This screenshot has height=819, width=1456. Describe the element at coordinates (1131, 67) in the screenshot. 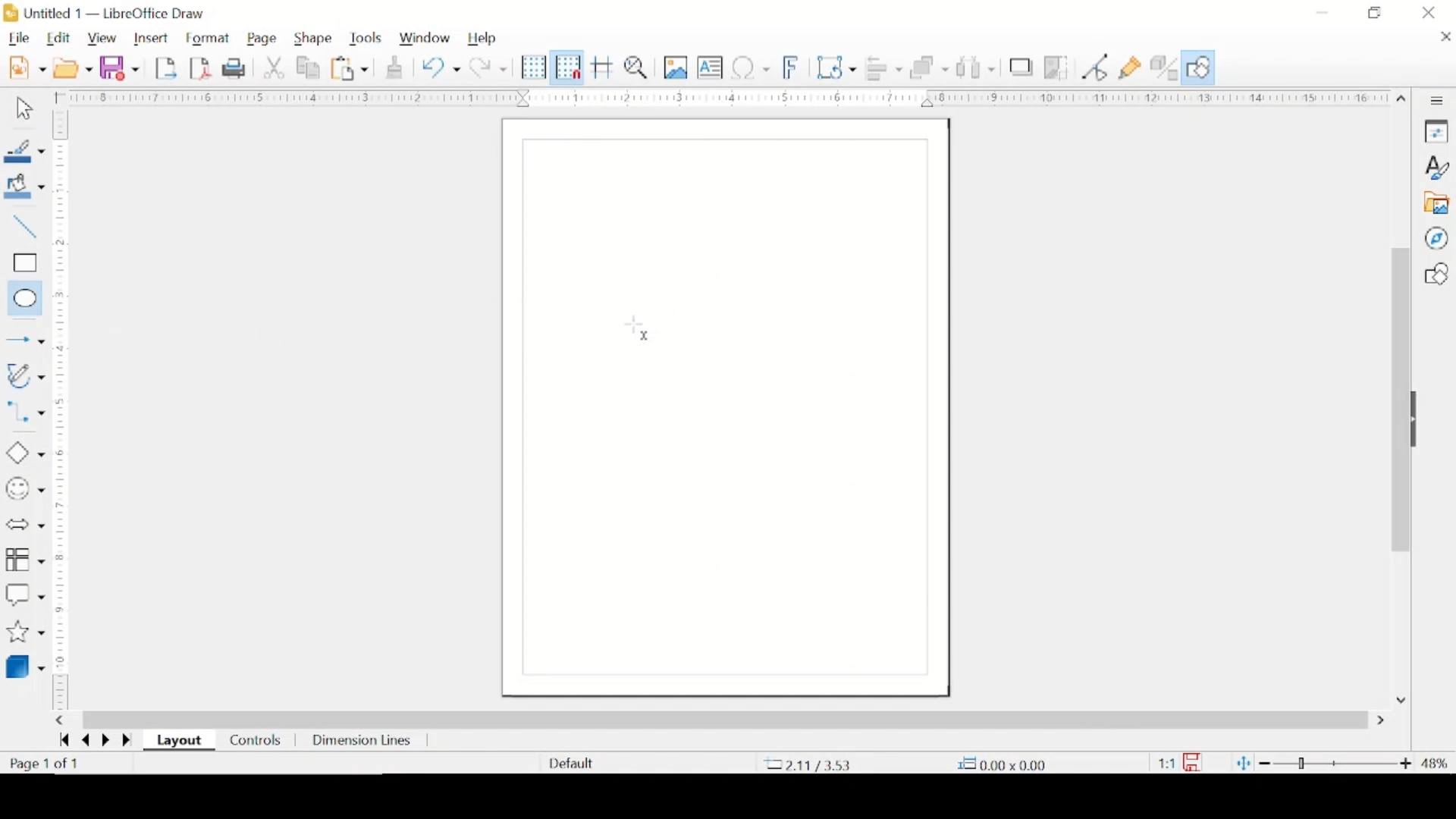

I see `show gluepoint functions` at that location.